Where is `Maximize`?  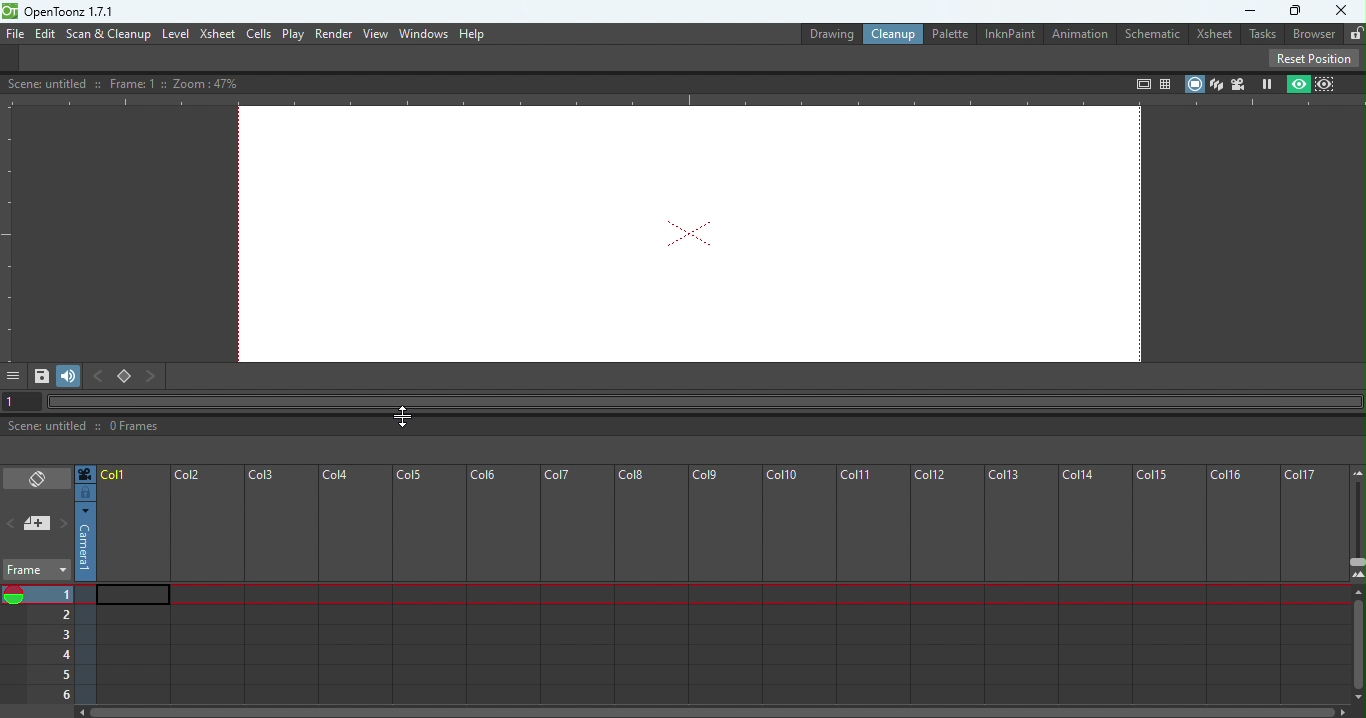 Maximize is located at coordinates (1296, 11).